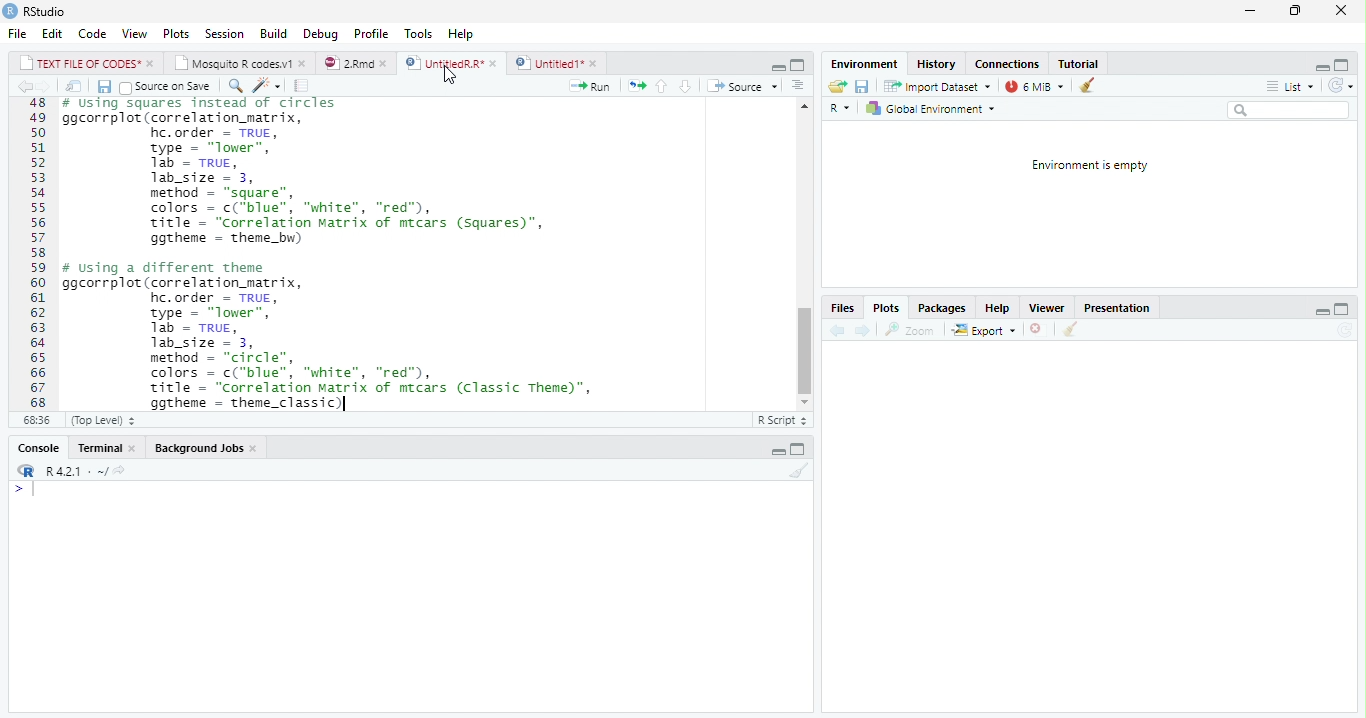  I want to click on (Top Level), so click(100, 420).